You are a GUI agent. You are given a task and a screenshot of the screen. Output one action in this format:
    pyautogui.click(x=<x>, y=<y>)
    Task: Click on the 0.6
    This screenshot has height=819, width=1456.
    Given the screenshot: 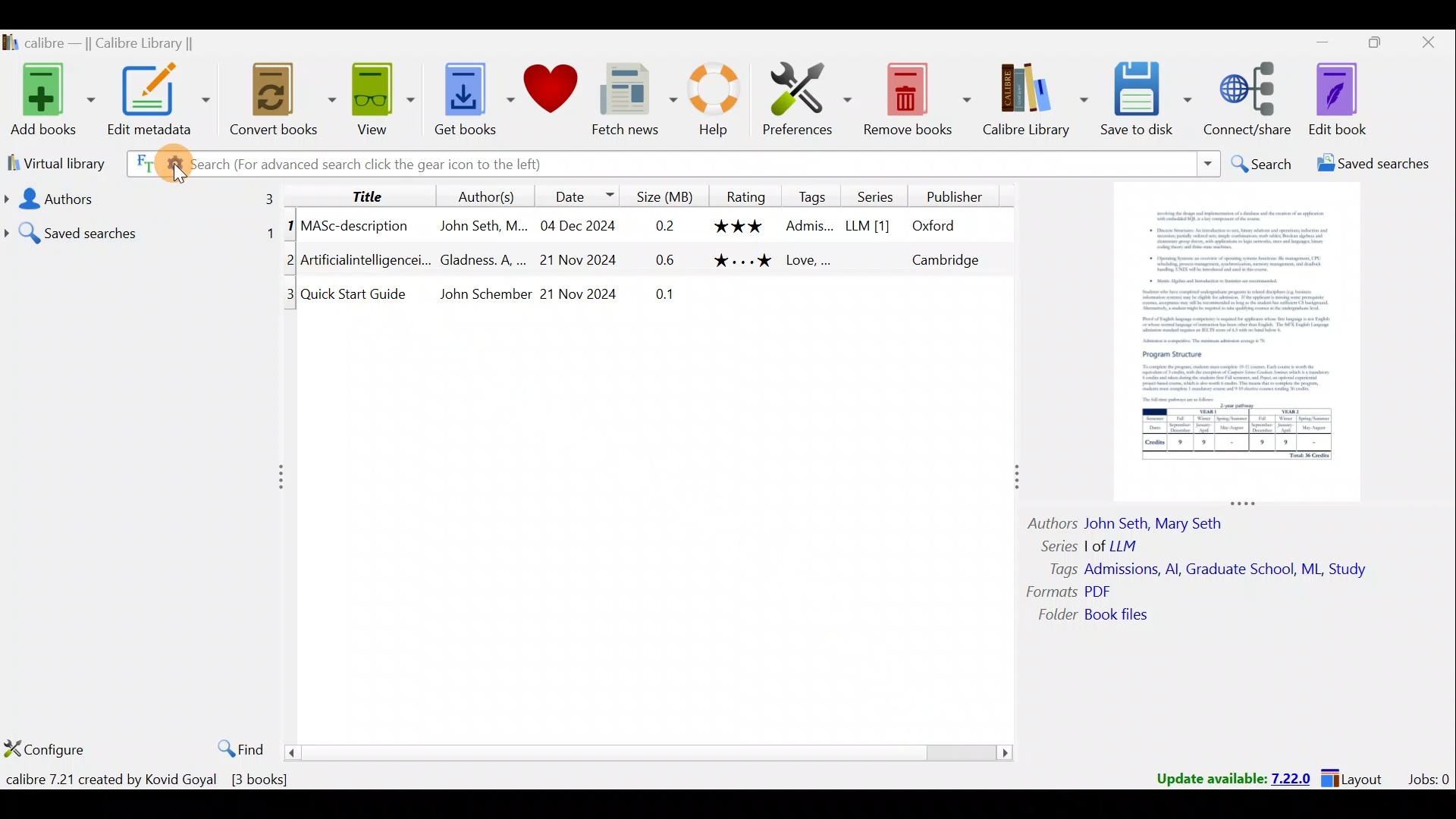 What is the action you would take?
    pyautogui.click(x=668, y=262)
    